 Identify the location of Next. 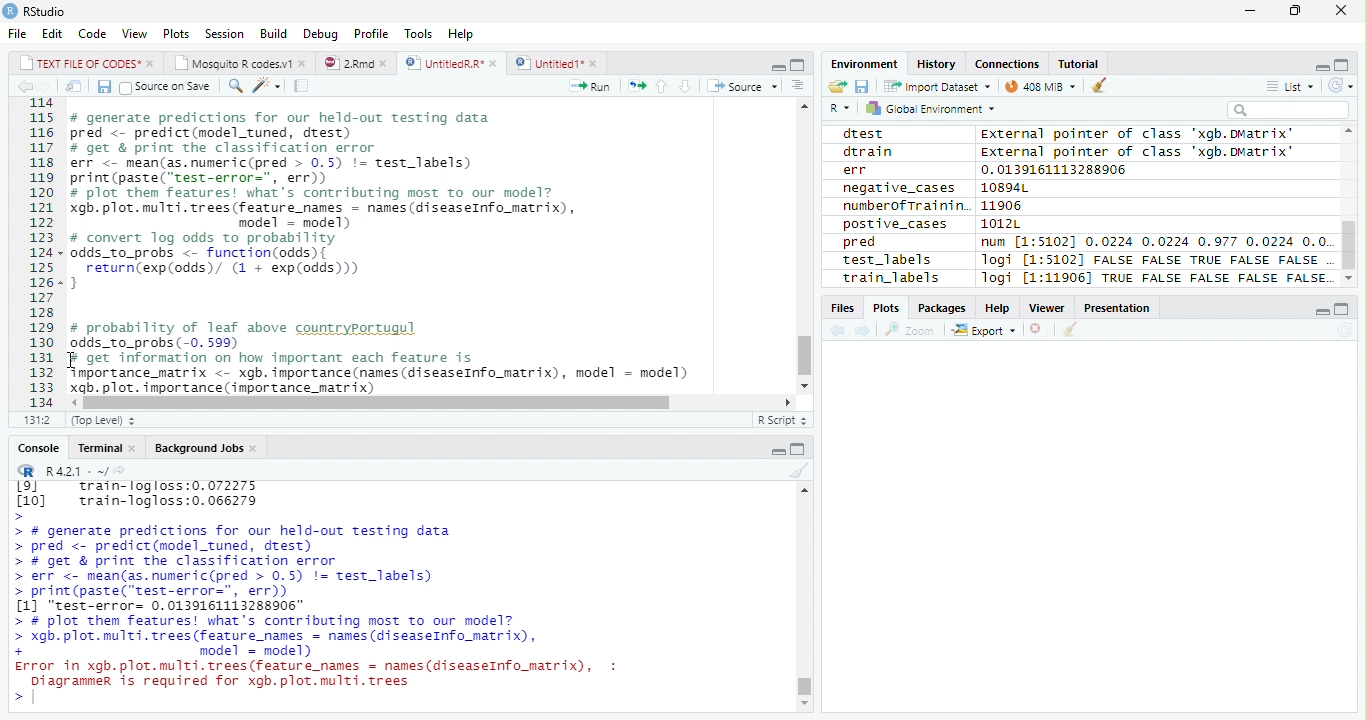
(862, 331).